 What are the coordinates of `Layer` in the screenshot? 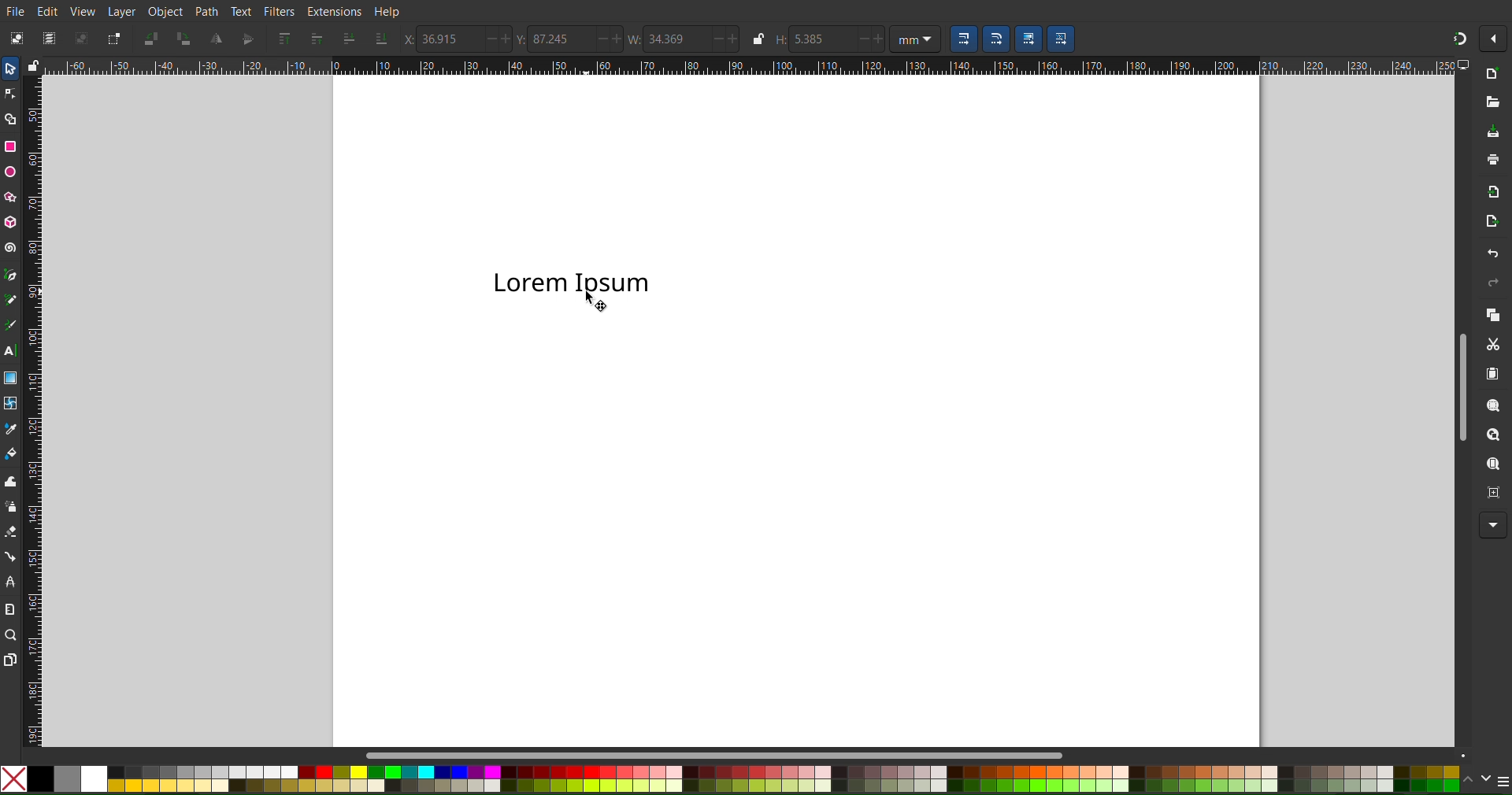 It's located at (121, 11).